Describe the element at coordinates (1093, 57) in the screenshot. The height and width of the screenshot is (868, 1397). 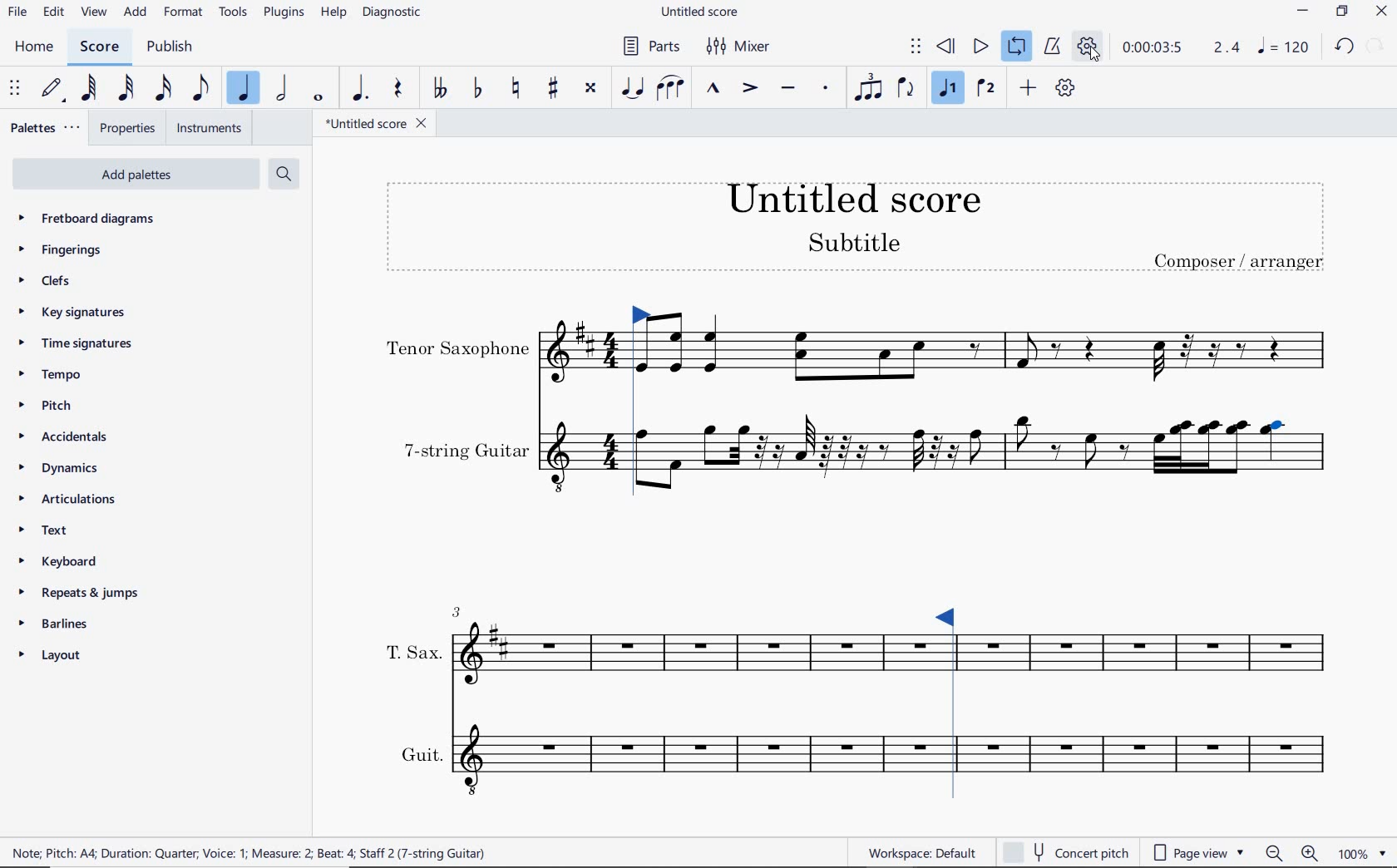
I see `cursor` at that location.